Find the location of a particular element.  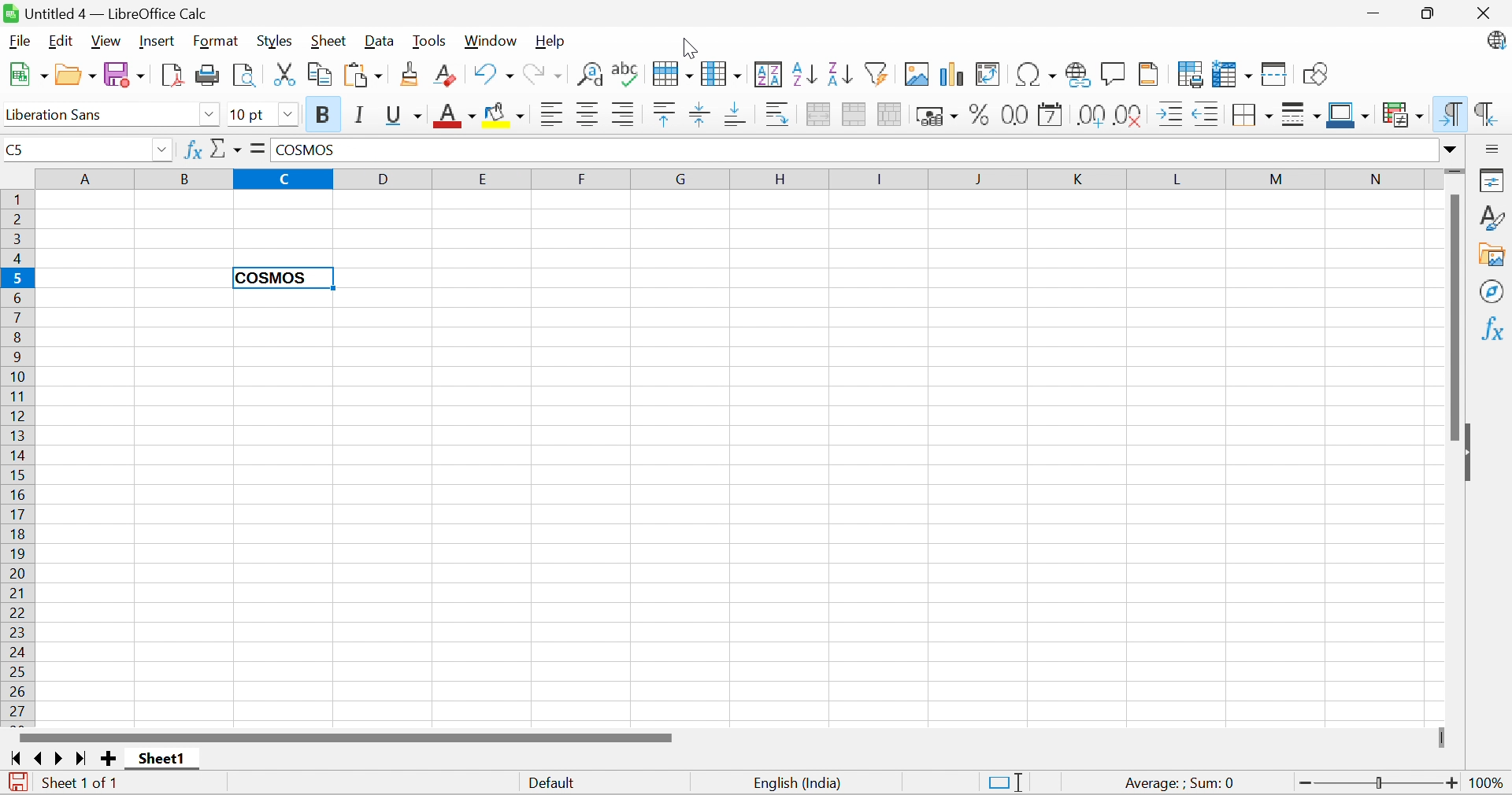

Redo is located at coordinates (546, 73).